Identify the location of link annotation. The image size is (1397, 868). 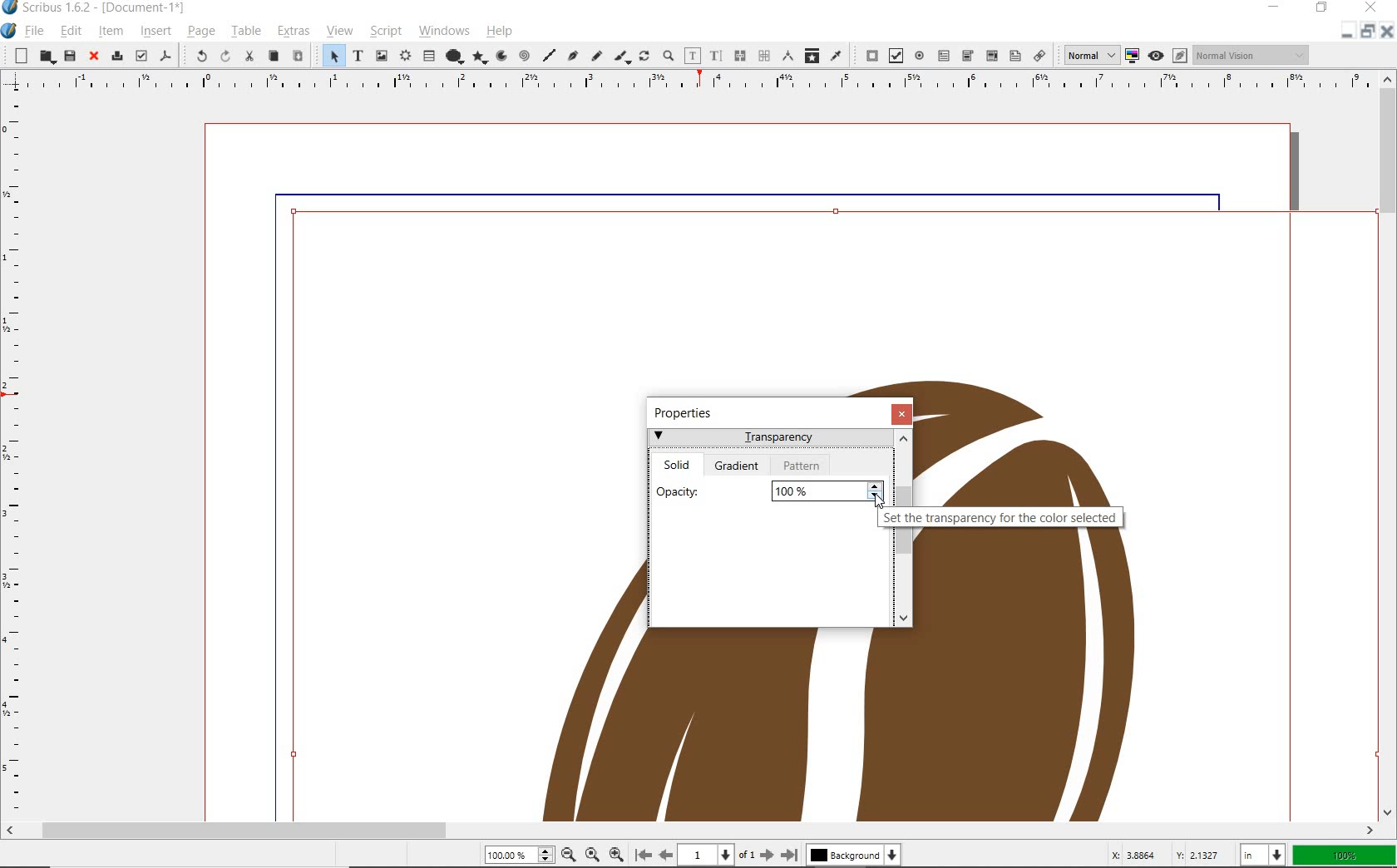
(1039, 55).